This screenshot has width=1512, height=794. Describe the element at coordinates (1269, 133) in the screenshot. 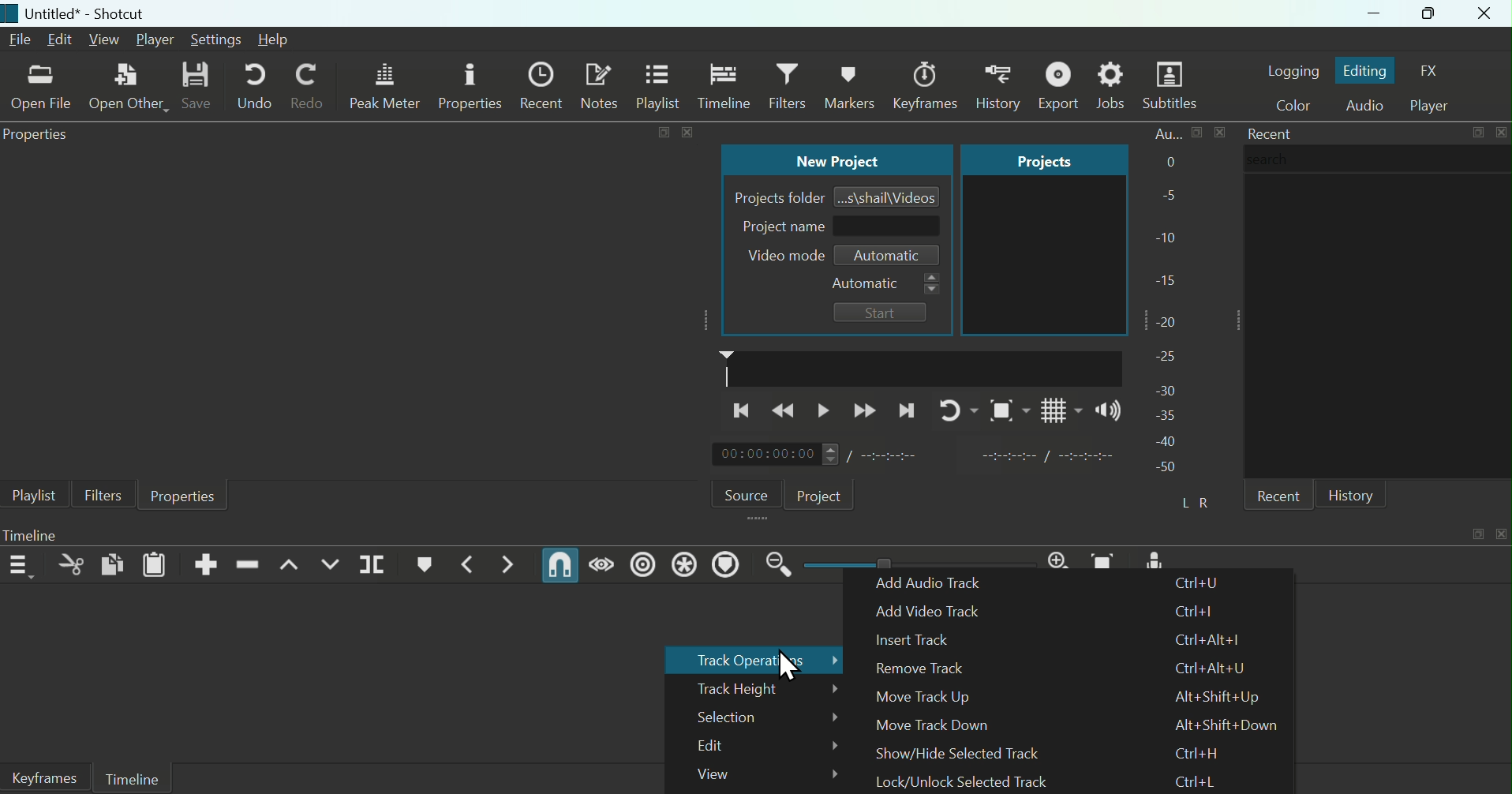

I see `Recent` at that location.